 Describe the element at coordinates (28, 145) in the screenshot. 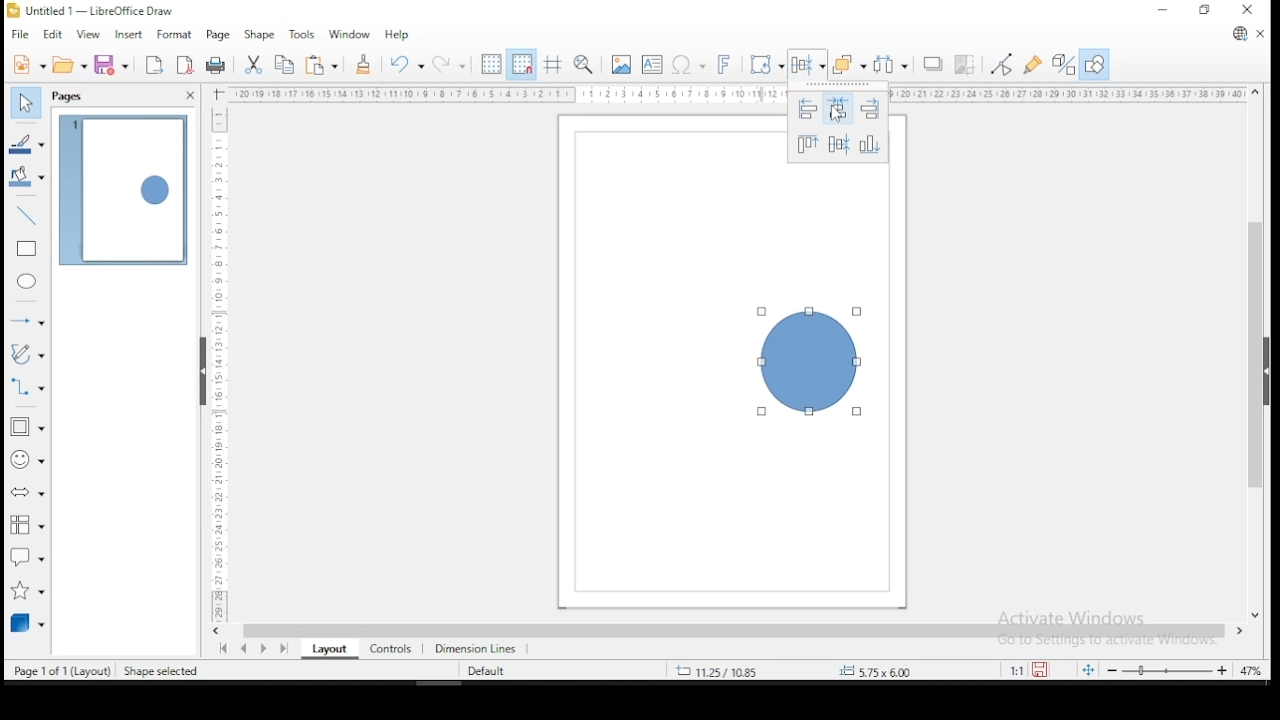

I see `line color` at that location.